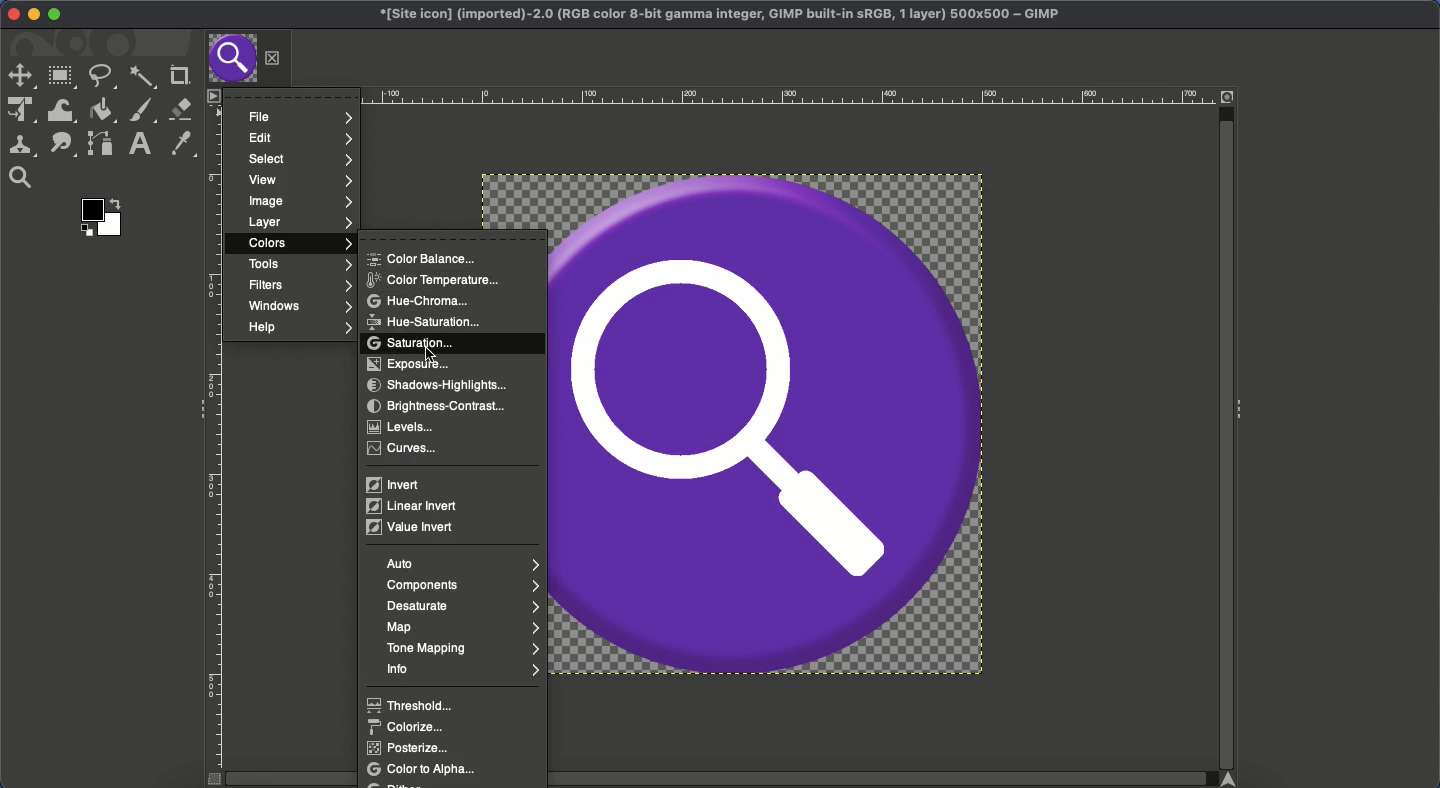 The width and height of the screenshot is (1440, 788). What do you see at coordinates (299, 244) in the screenshot?
I see `Colors` at bounding box center [299, 244].